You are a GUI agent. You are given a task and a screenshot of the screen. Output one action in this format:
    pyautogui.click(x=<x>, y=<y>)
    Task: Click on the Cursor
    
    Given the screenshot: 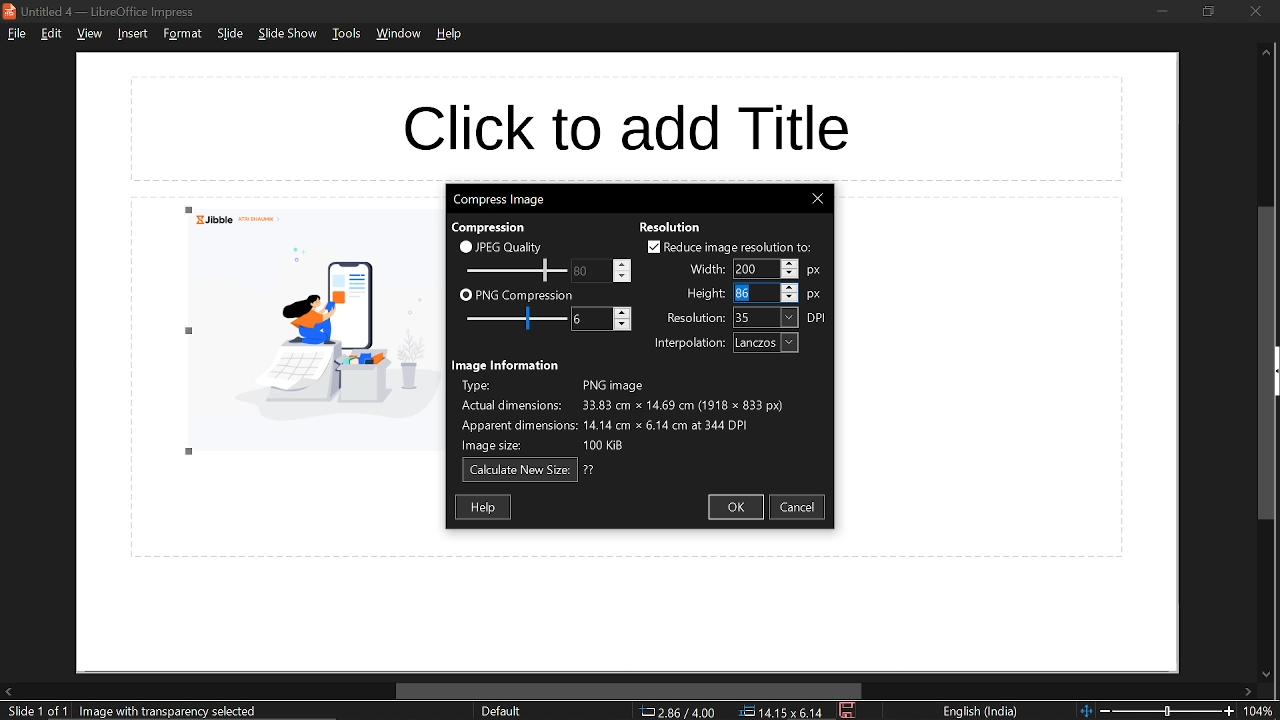 What is the action you would take?
    pyautogui.click(x=736, y=294)
    